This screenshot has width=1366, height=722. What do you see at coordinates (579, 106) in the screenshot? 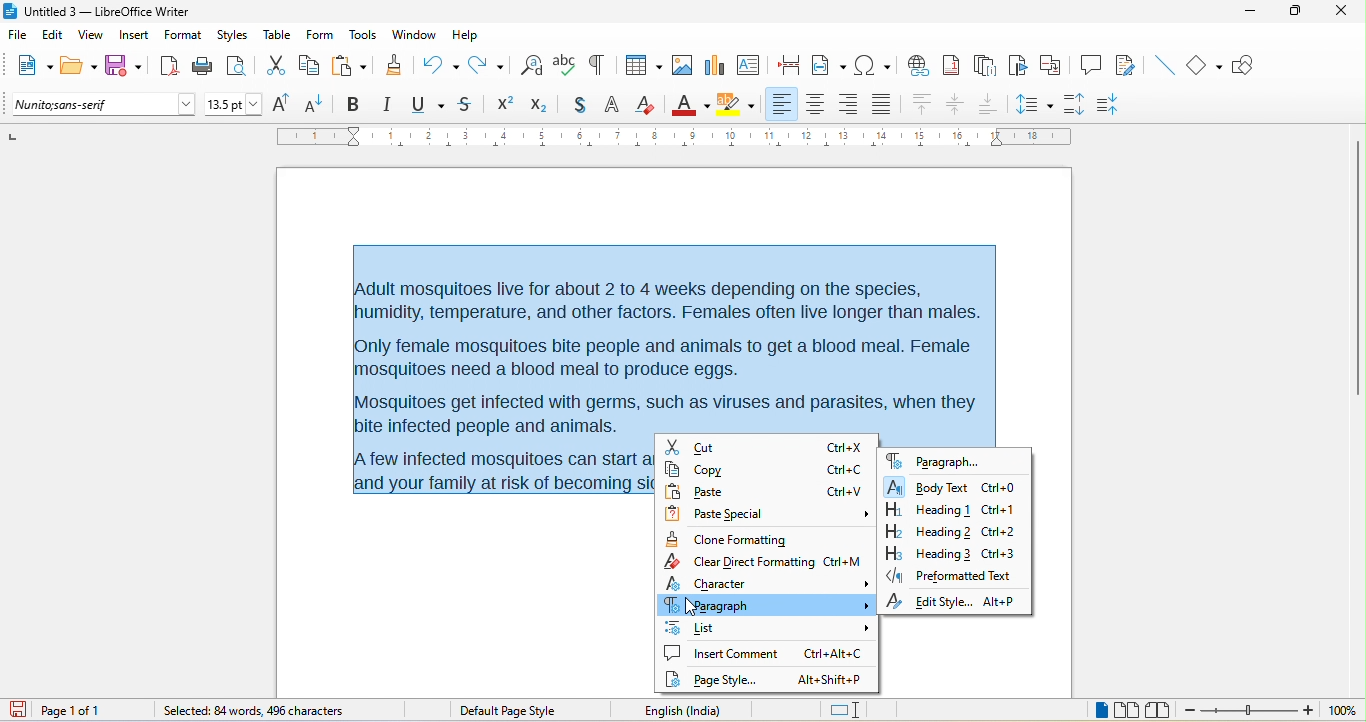
I see `shadow` at bounding box center [579, 106].